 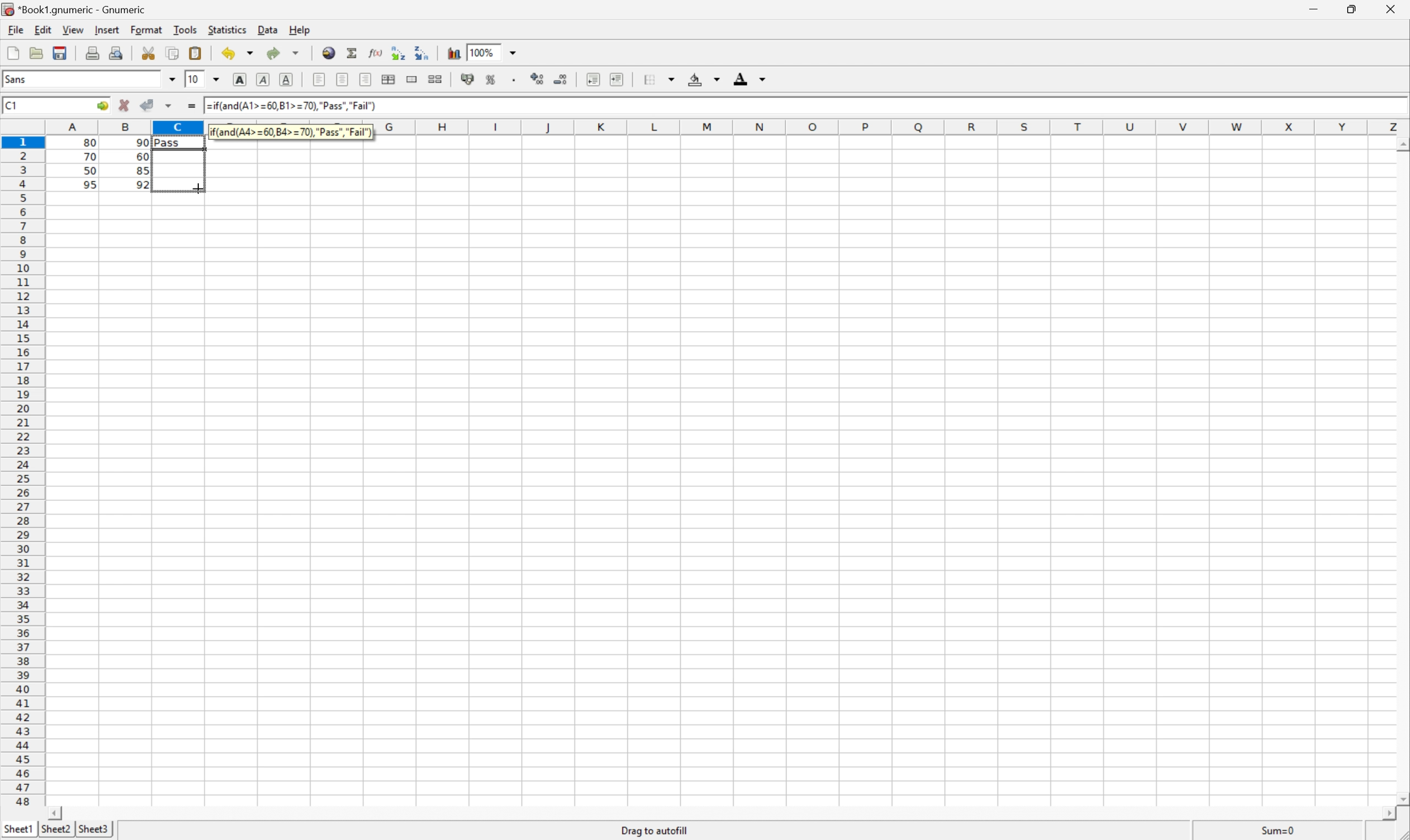 What do you see at coordinates (17, 78) in the screenshot?
I see `Sans` at bounding box center [17, 78].